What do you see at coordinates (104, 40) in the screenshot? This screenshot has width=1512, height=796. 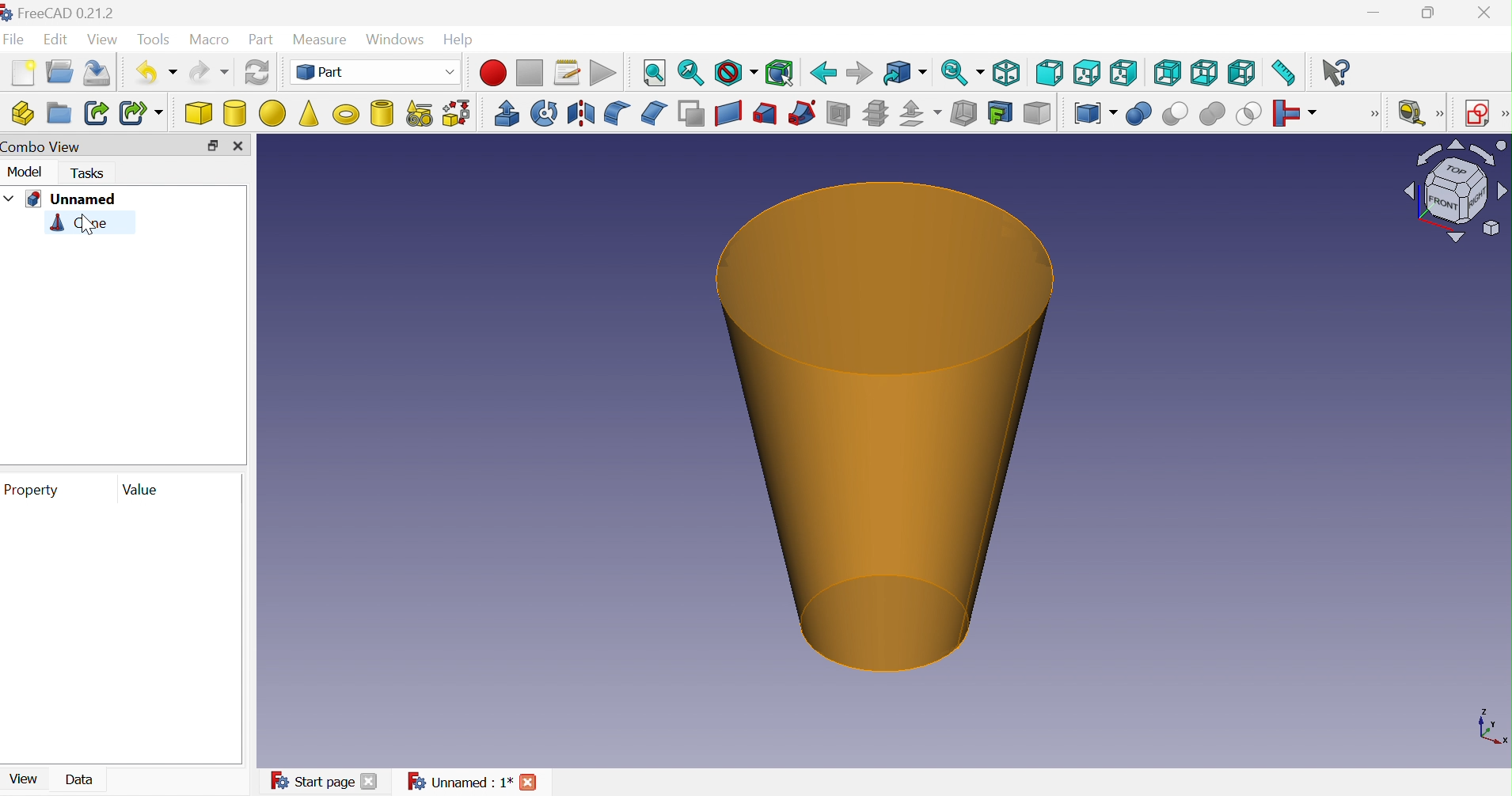 I see `Vieq` at bounding box center [104, 40].